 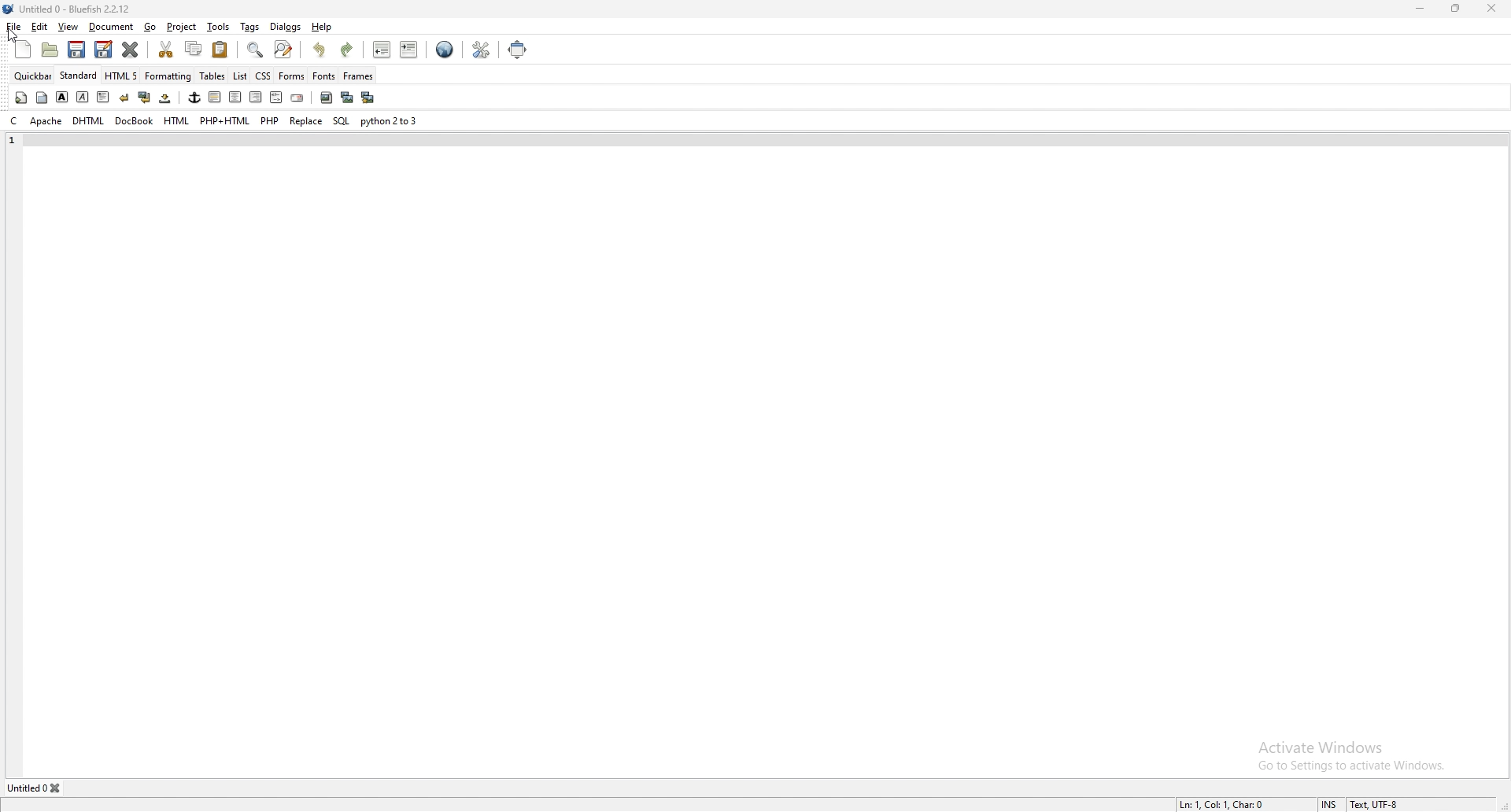 I want to click on undo, so click(x=321, y=50).